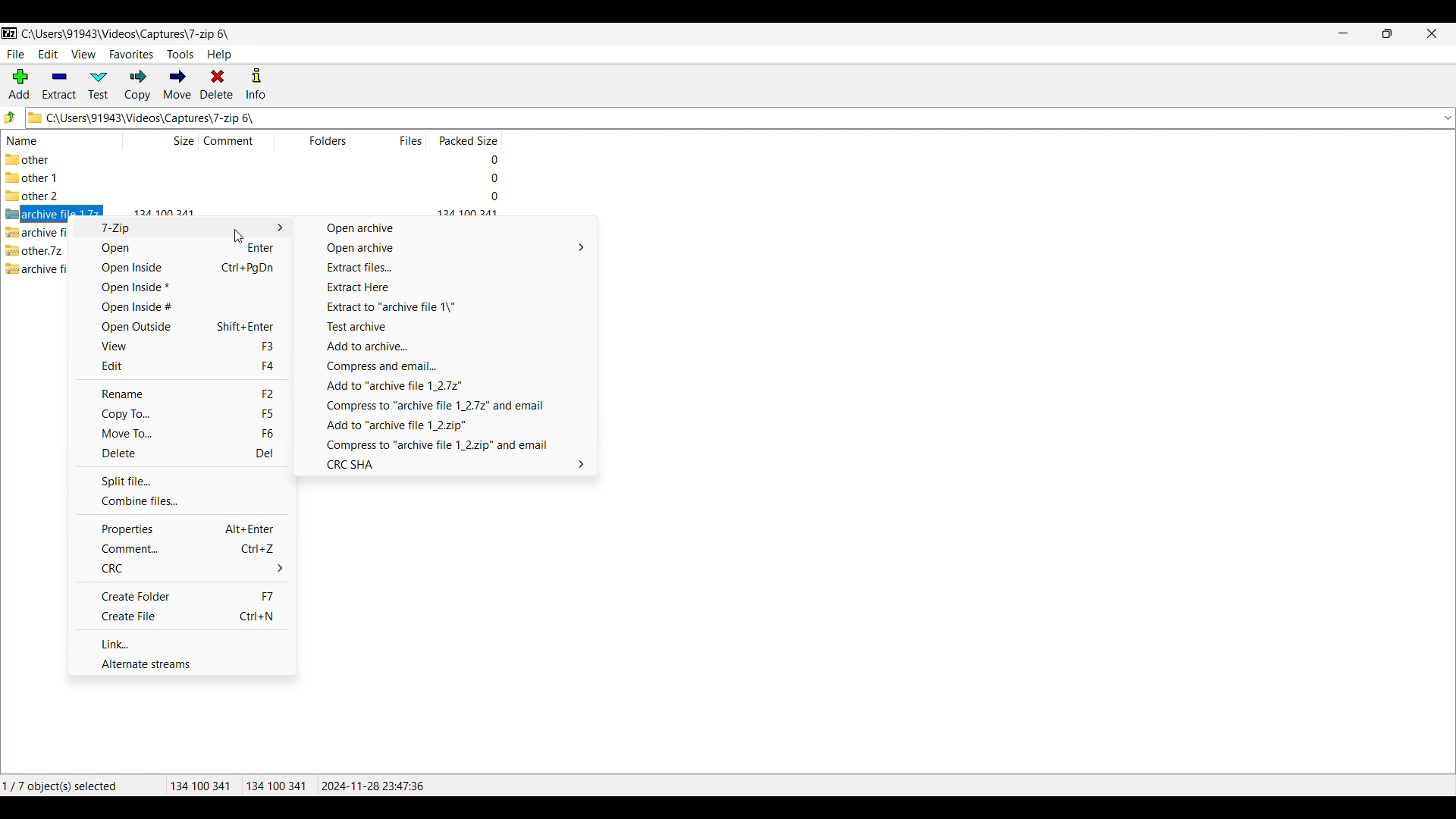  What do you see at coordinates (182, 549) in the screenshot?
I see `Comment` at bounding box center [182, 549].